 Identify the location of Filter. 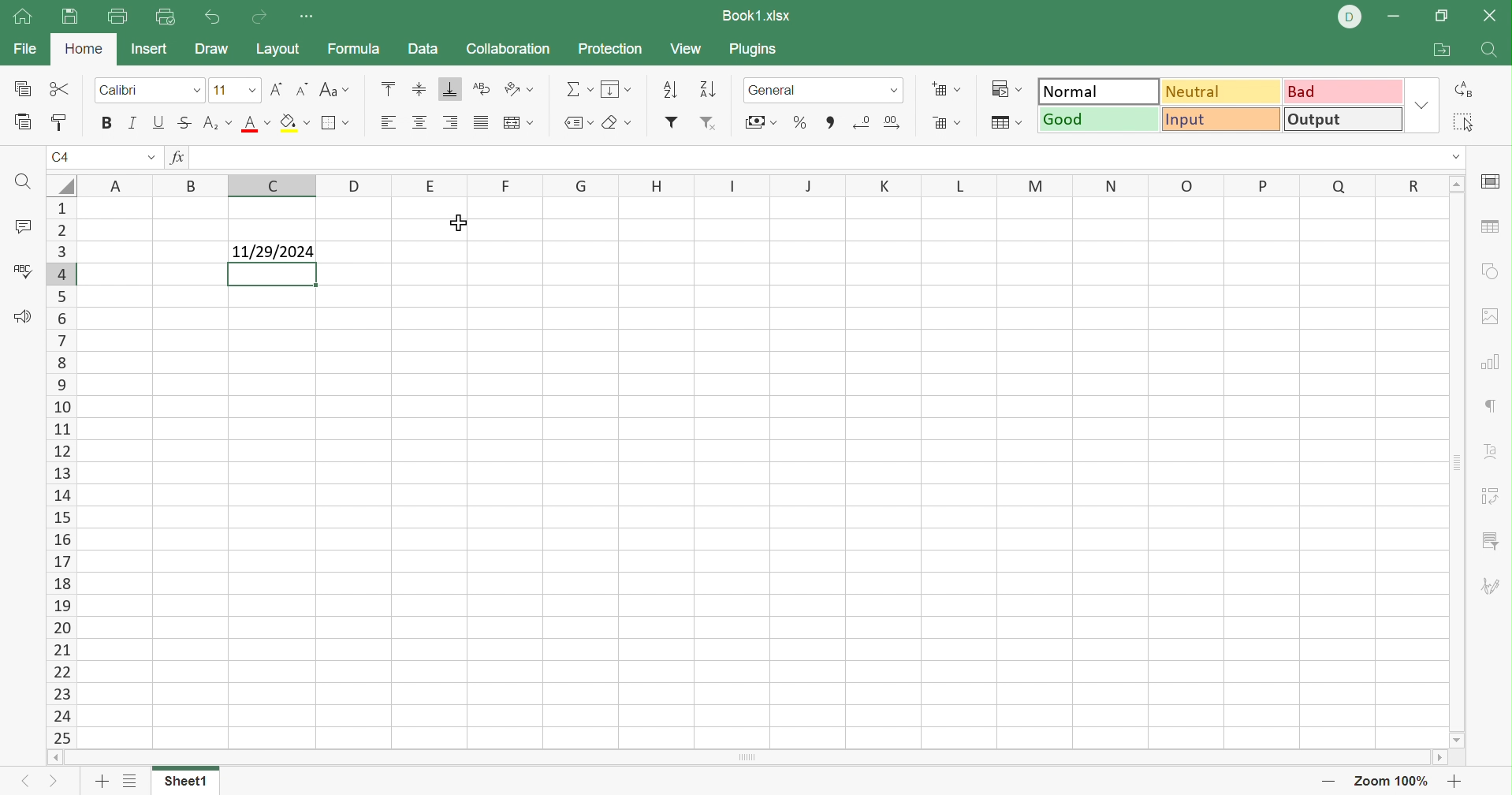
(672, 123).